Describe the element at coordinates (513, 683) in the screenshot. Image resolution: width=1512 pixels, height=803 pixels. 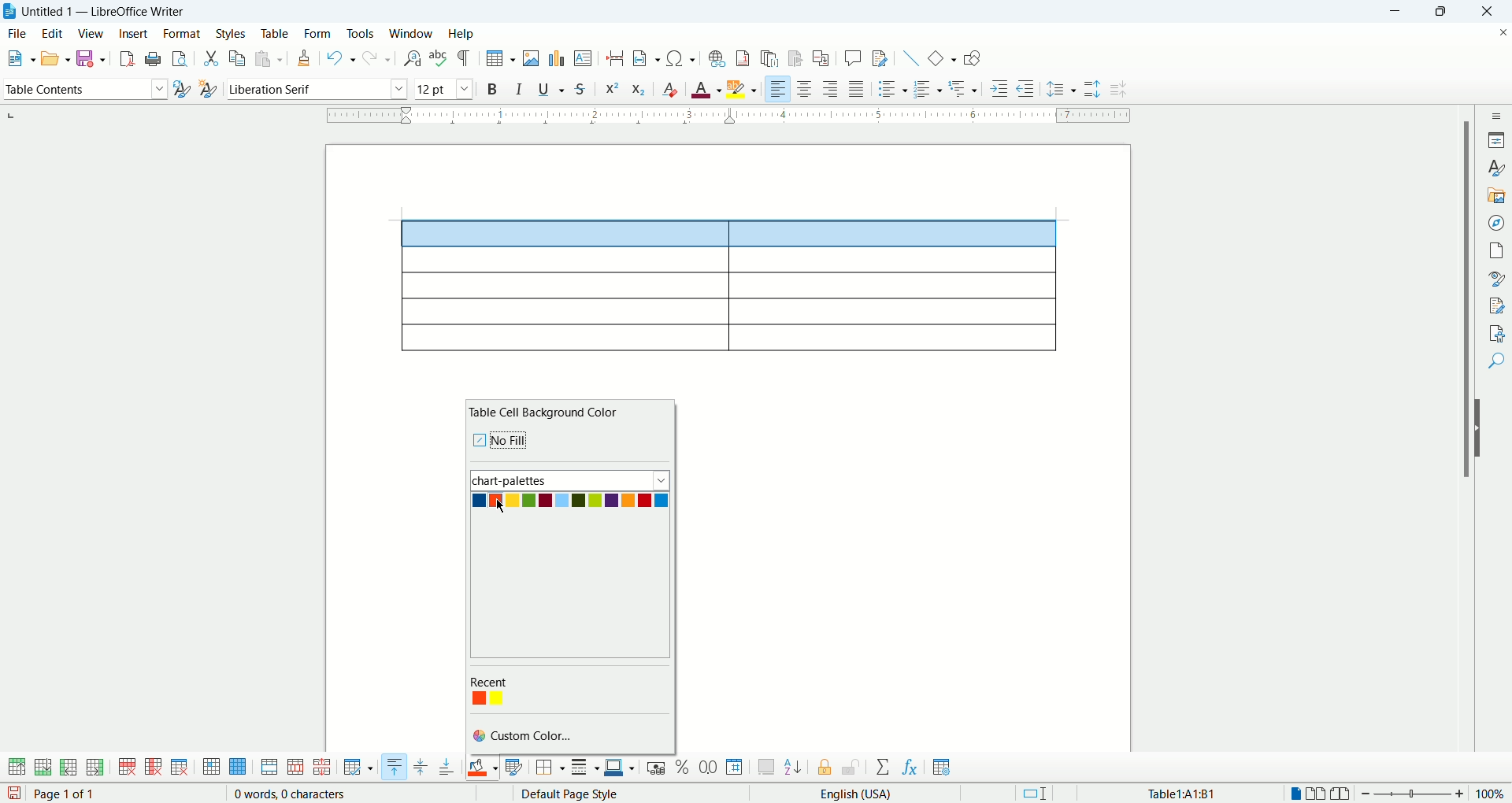
I see `color palette` at that location.